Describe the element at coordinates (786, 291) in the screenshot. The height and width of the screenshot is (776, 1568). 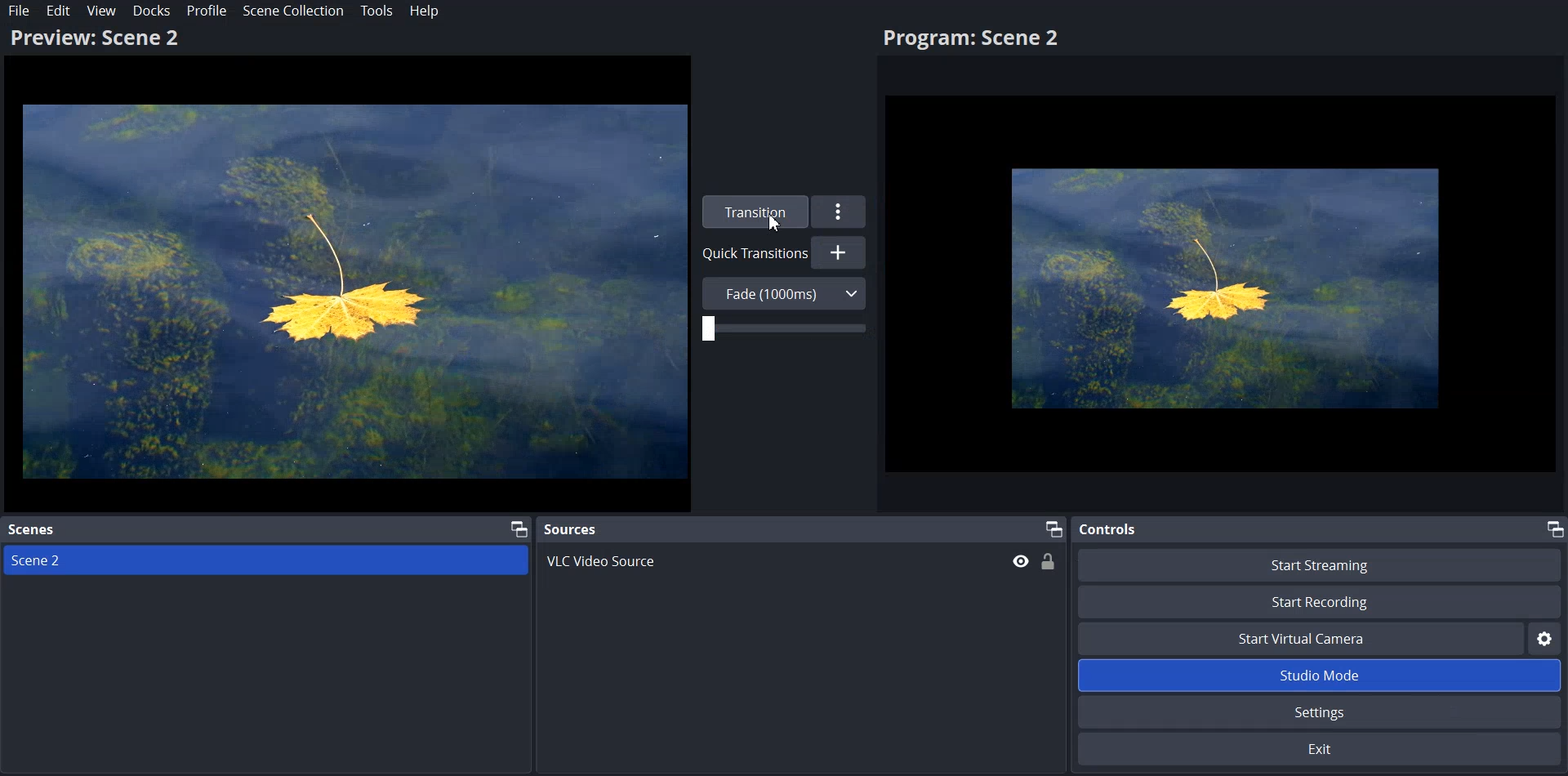
I see `Fade` at that location.